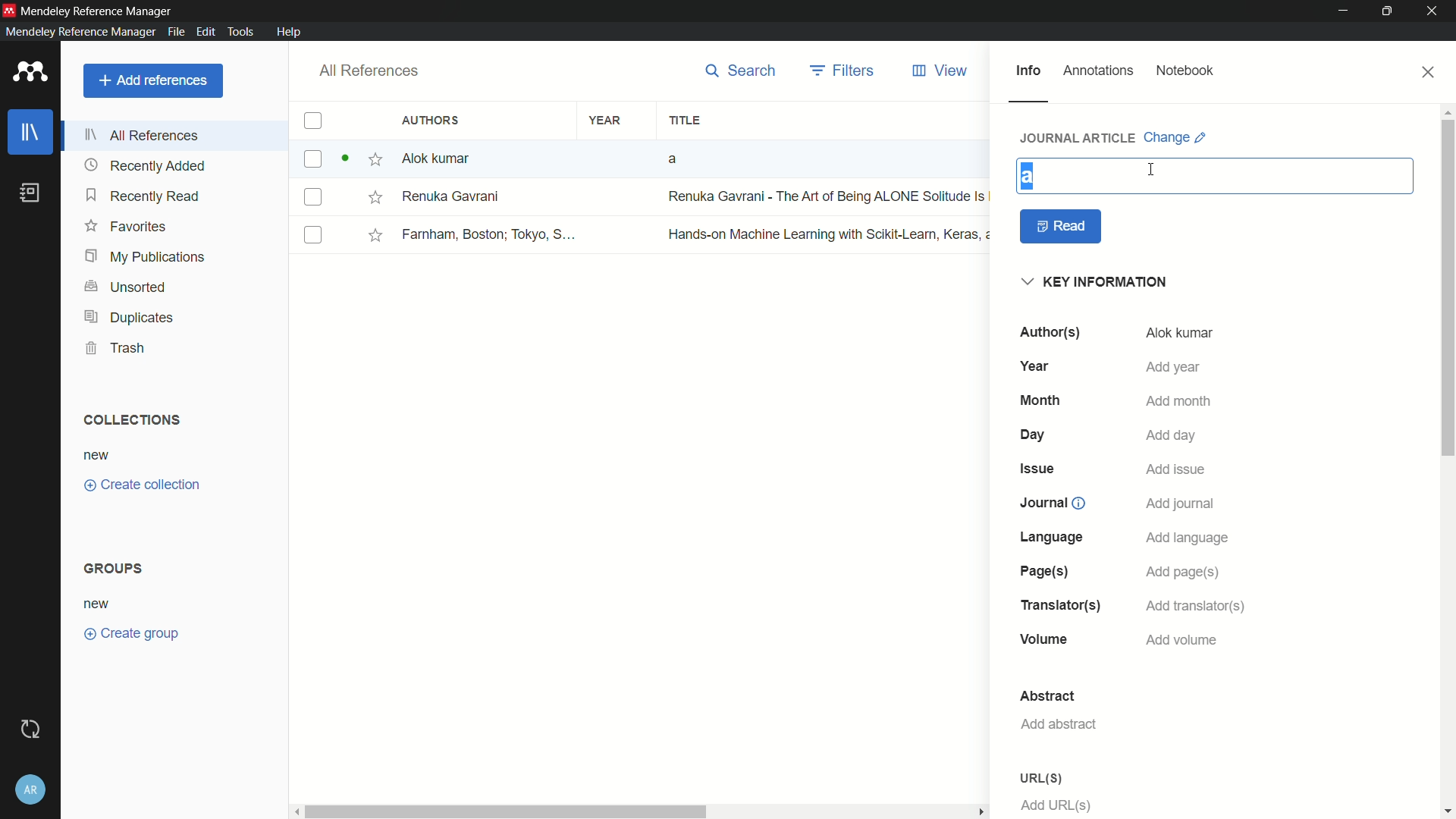 Image resolution: width=1456 pixels, height=819 pixels. Describe the element at coordinates (644, 197) in the screenshot. I see `book-2` at that location.